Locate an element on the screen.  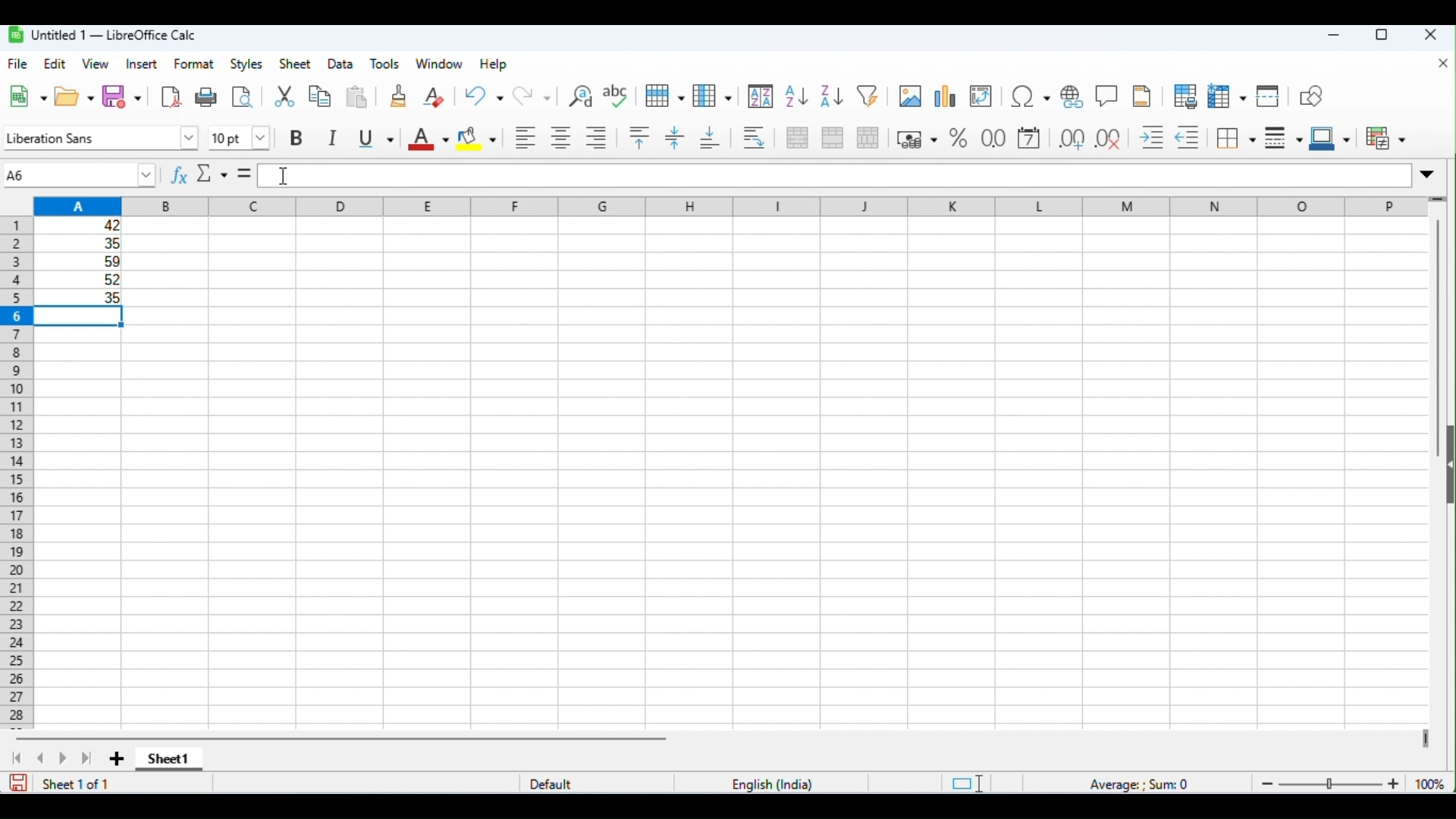
edit is located at coordinates (56, 65).